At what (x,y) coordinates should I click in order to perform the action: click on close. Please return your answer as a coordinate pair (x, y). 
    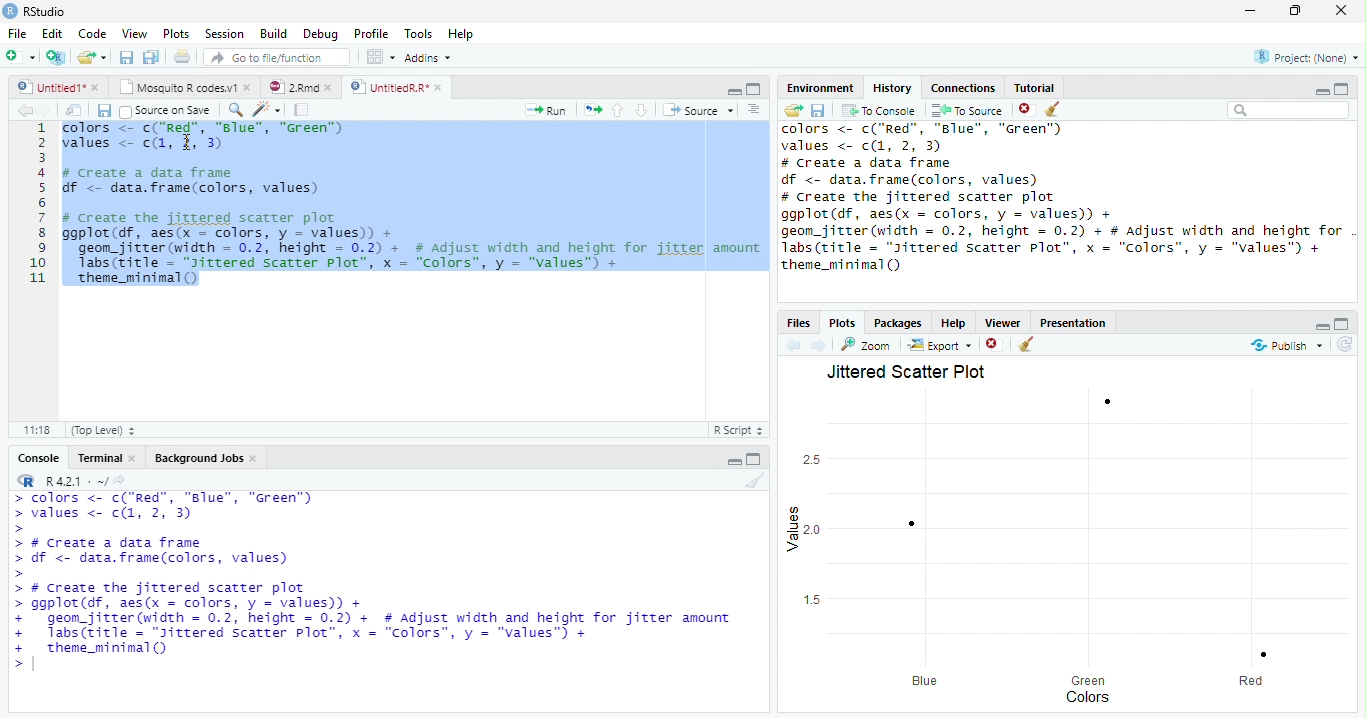
    Looking at the image, I should click on (247, 87).